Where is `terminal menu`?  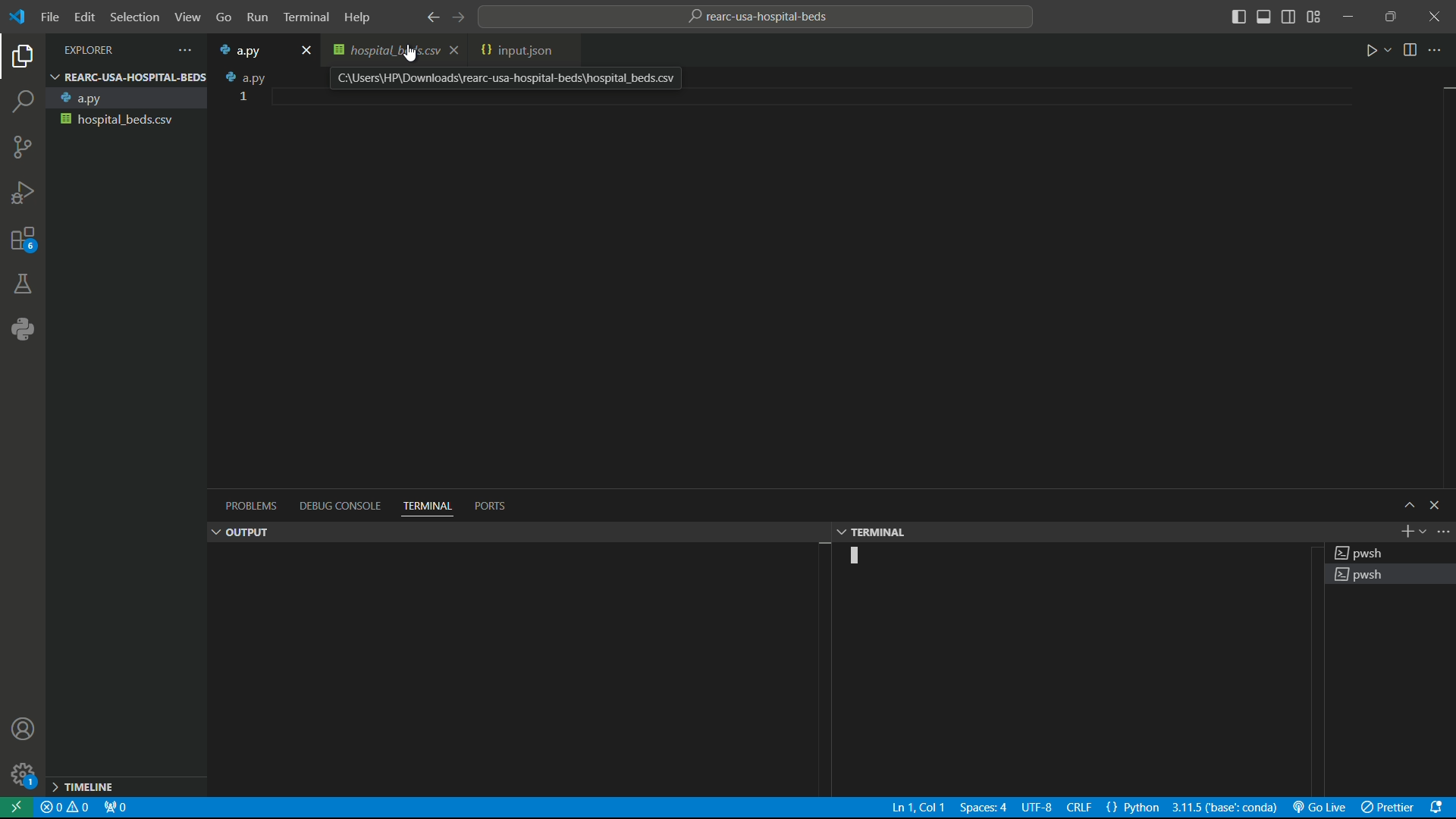
terminal menu is located at coordinates (304, 16).